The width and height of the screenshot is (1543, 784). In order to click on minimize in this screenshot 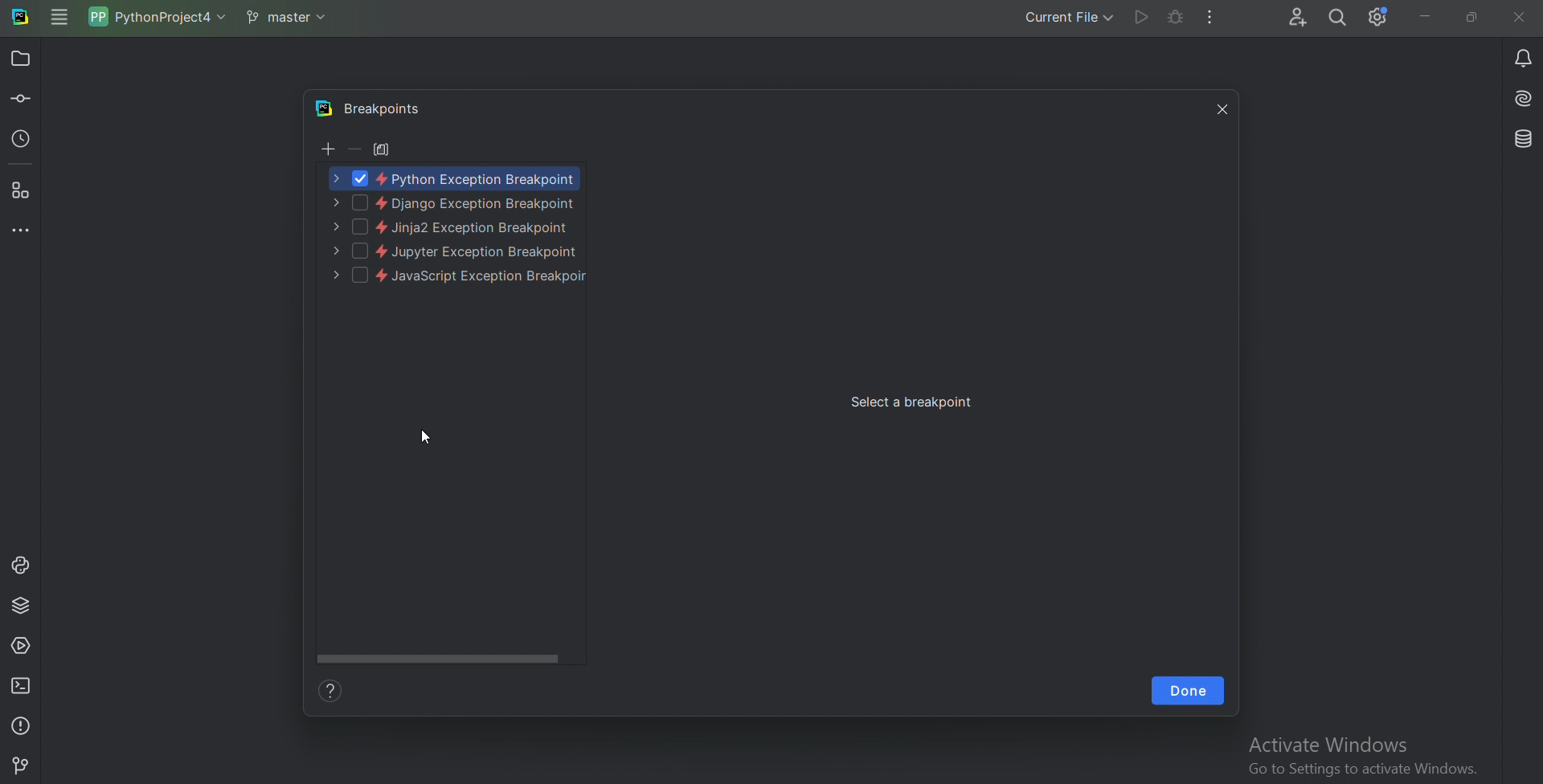, I will do `click(1422, 17)`.